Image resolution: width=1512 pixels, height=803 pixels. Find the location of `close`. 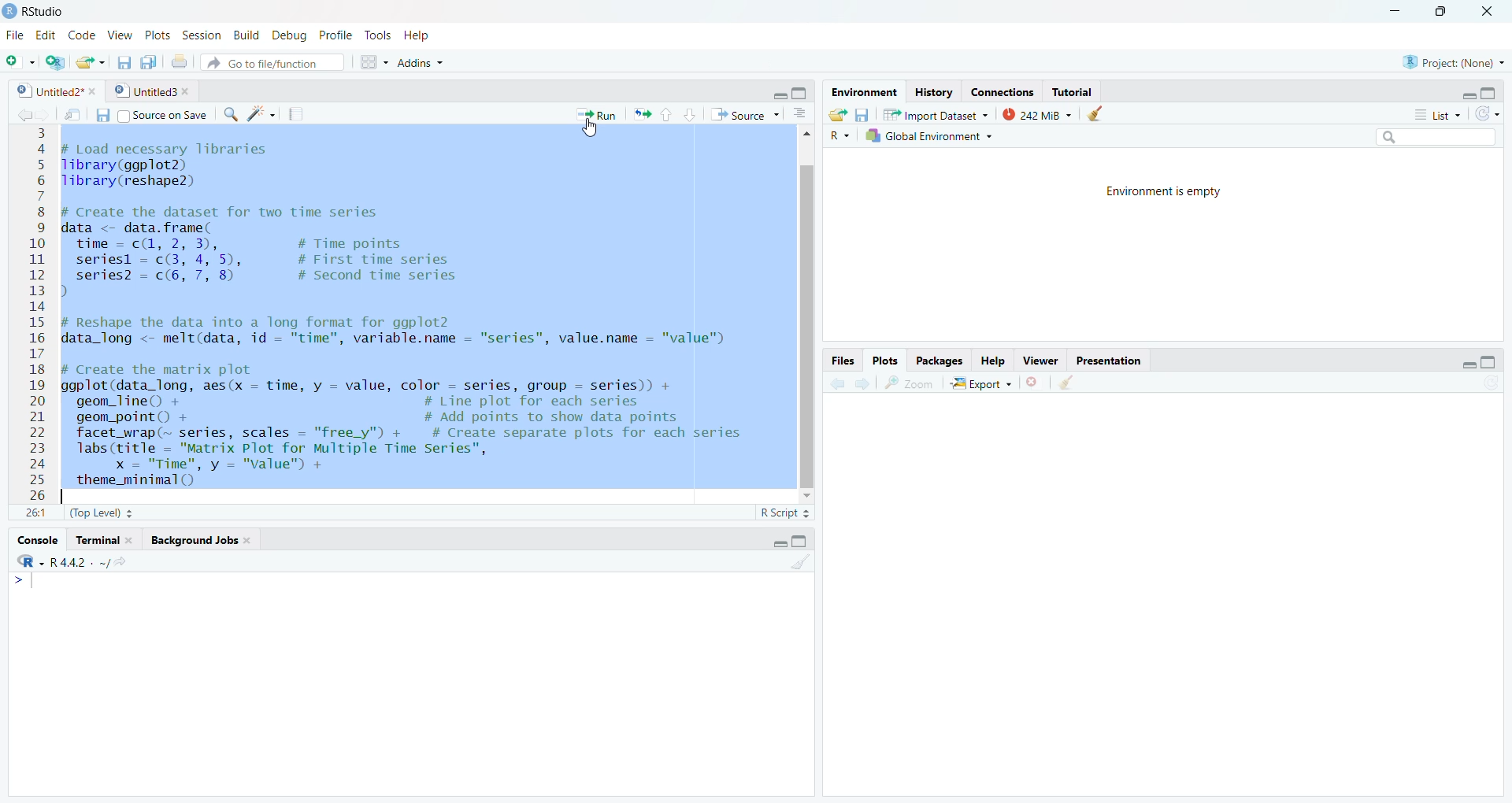

close is located at coordinates (1035, 382).